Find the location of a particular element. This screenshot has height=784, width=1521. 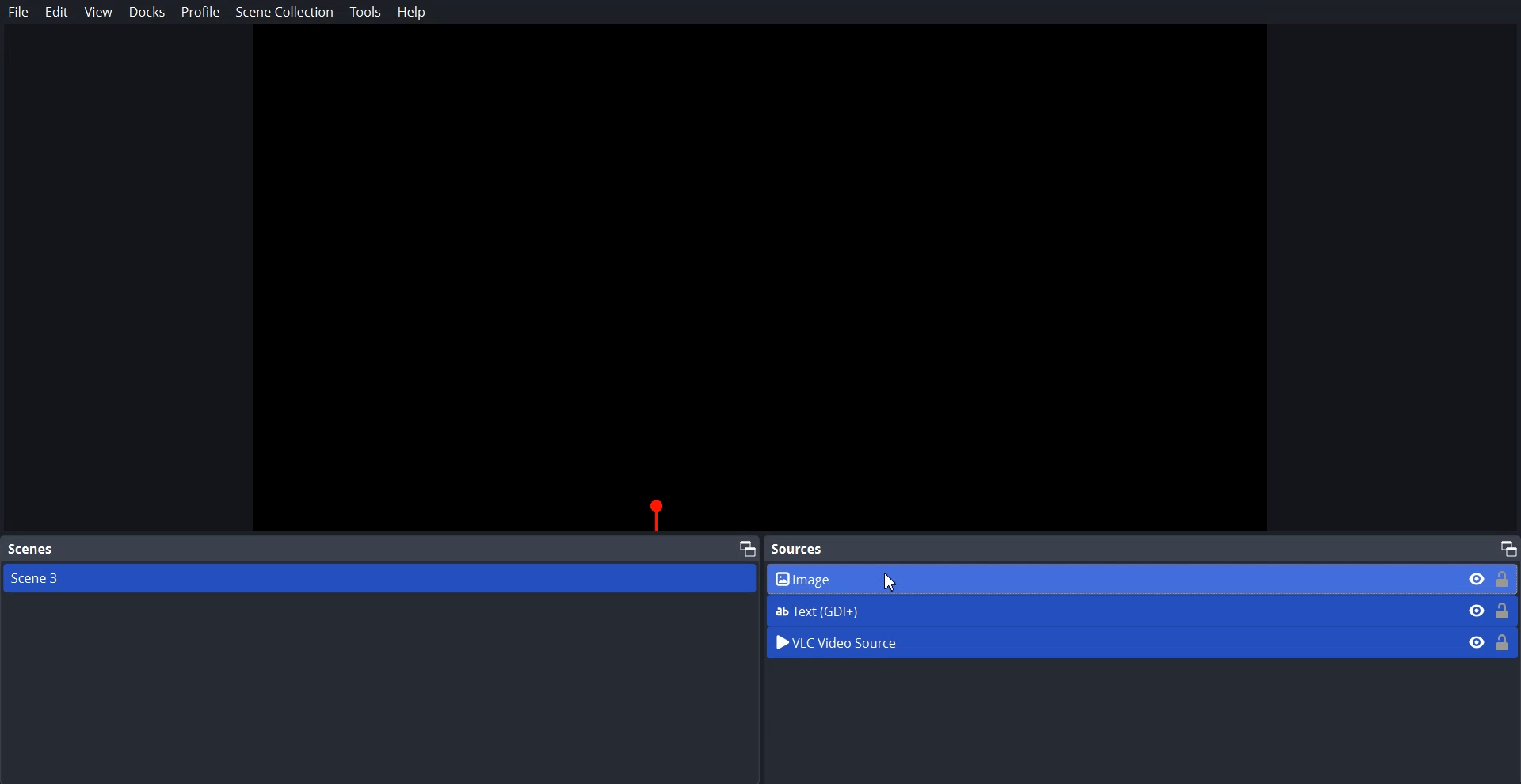

VLC Video Source is located at coordinates (1107, 641).